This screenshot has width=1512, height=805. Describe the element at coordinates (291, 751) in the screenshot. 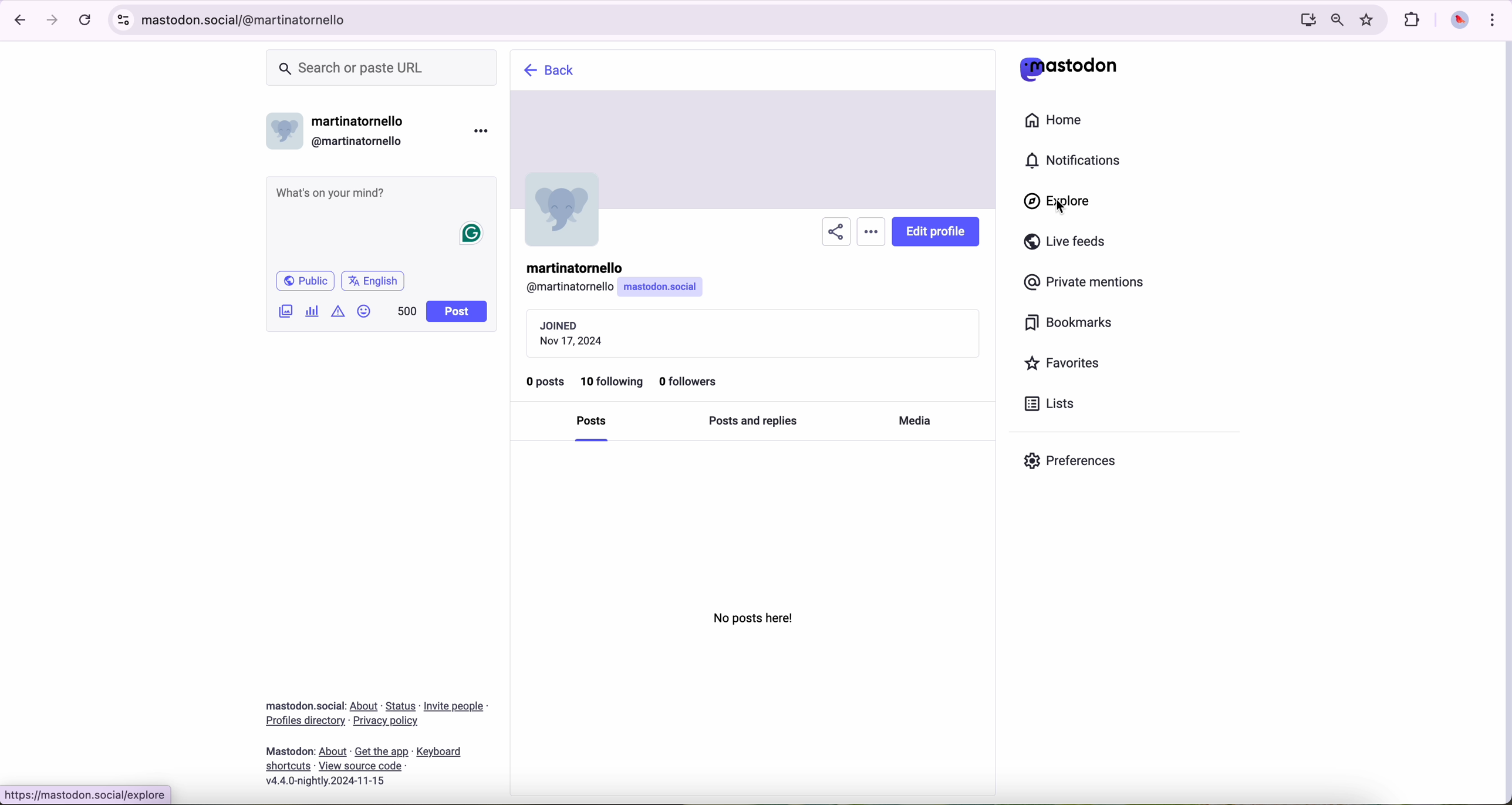

I see `mastodon` at that location.